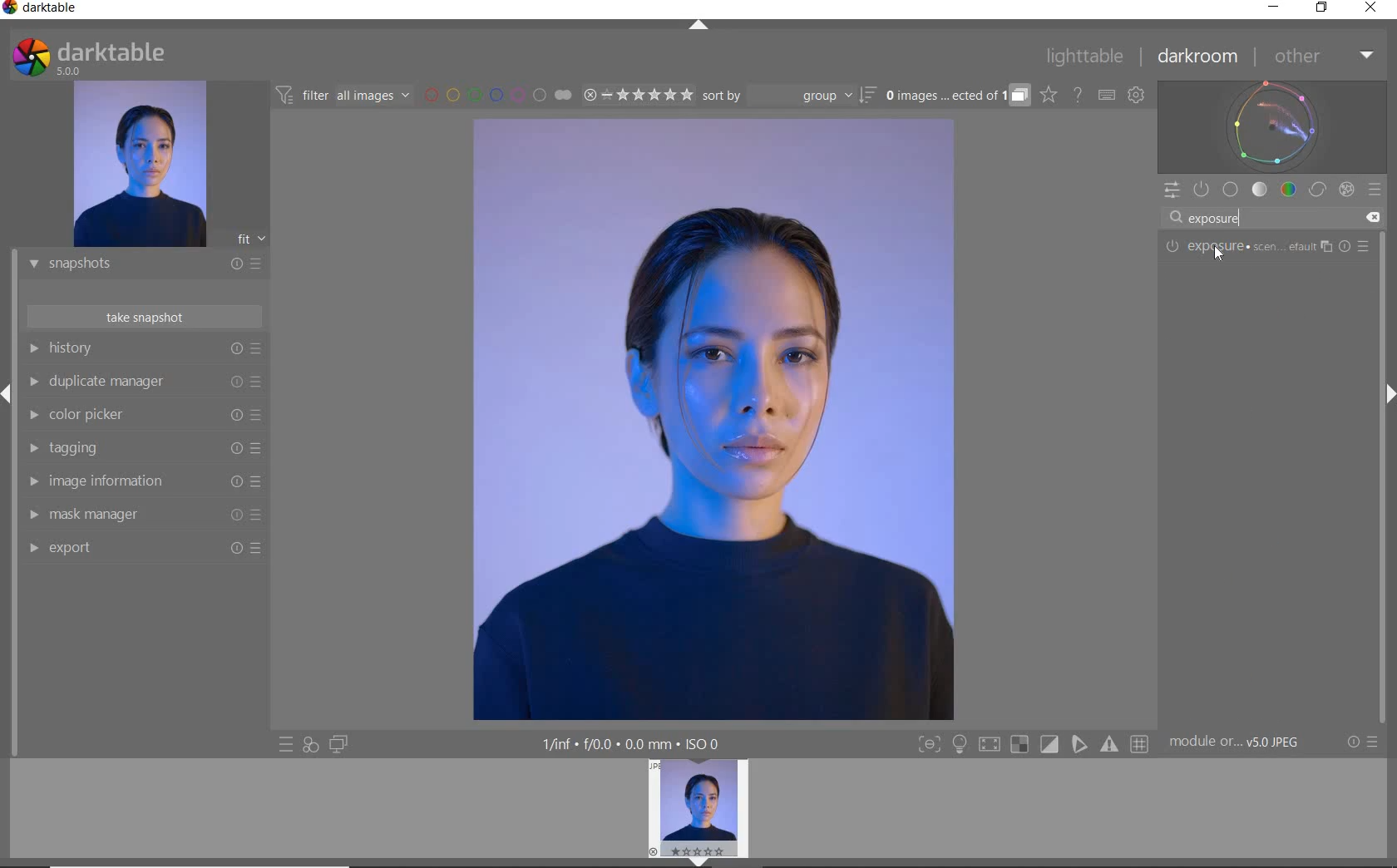 The image size is (1397, 868). I want to click on Button, so click(1080, 744).